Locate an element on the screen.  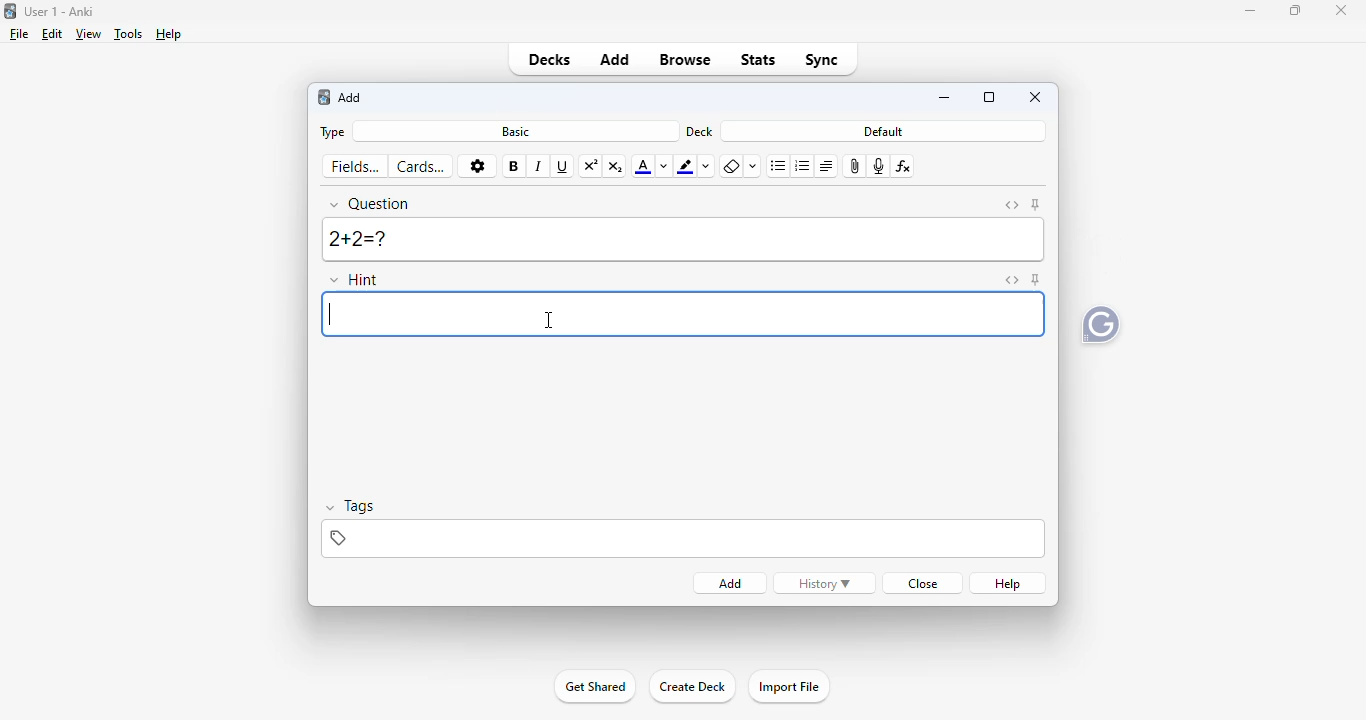
Get Started is located at coordinates (594, 688).